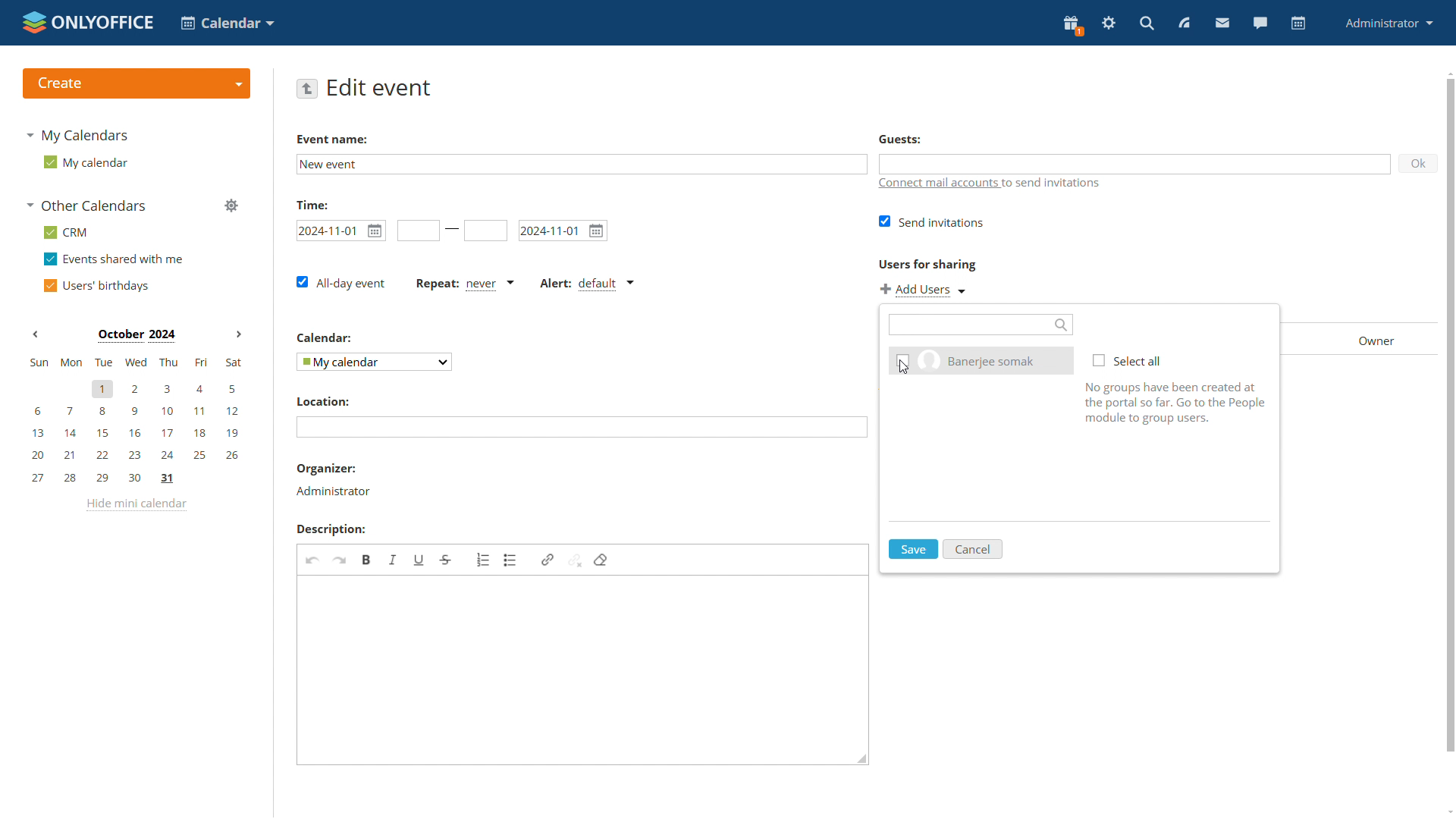 The width and height of the screenshot is (1456, 819). What do you see at coordinates (312, 559) in the screenshot?
I see `undo` at bounding box center [312, 559].